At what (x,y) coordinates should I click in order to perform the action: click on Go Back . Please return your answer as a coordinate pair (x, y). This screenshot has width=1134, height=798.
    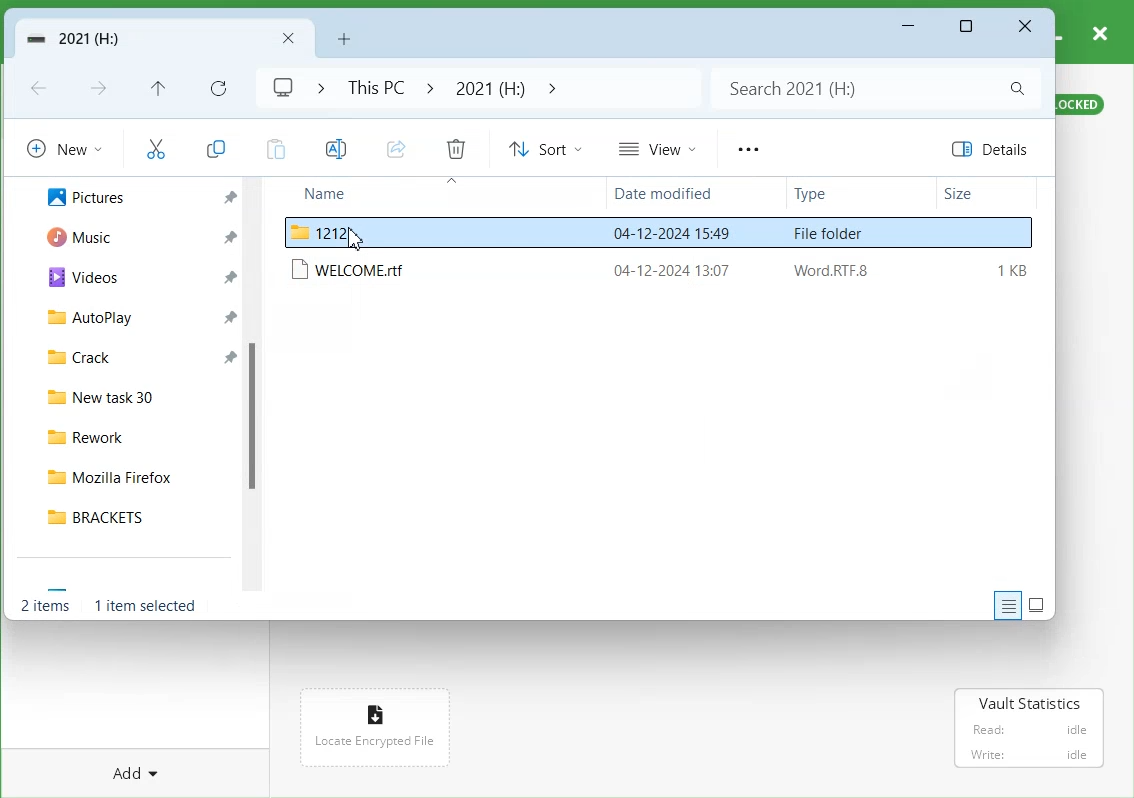
    Looking at the image, I should click on (41, 89).